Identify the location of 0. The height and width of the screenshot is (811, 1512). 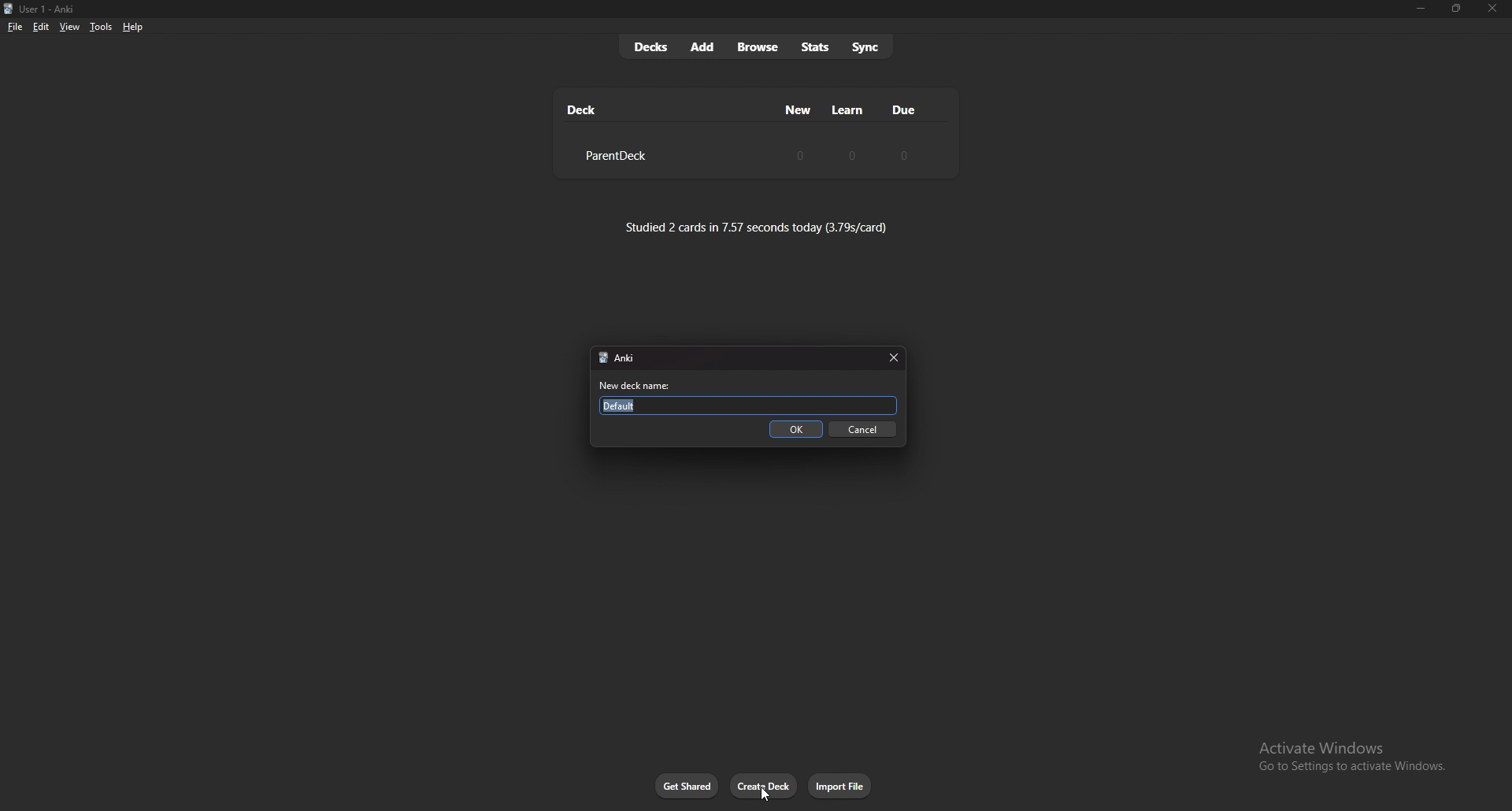
(902, 155).